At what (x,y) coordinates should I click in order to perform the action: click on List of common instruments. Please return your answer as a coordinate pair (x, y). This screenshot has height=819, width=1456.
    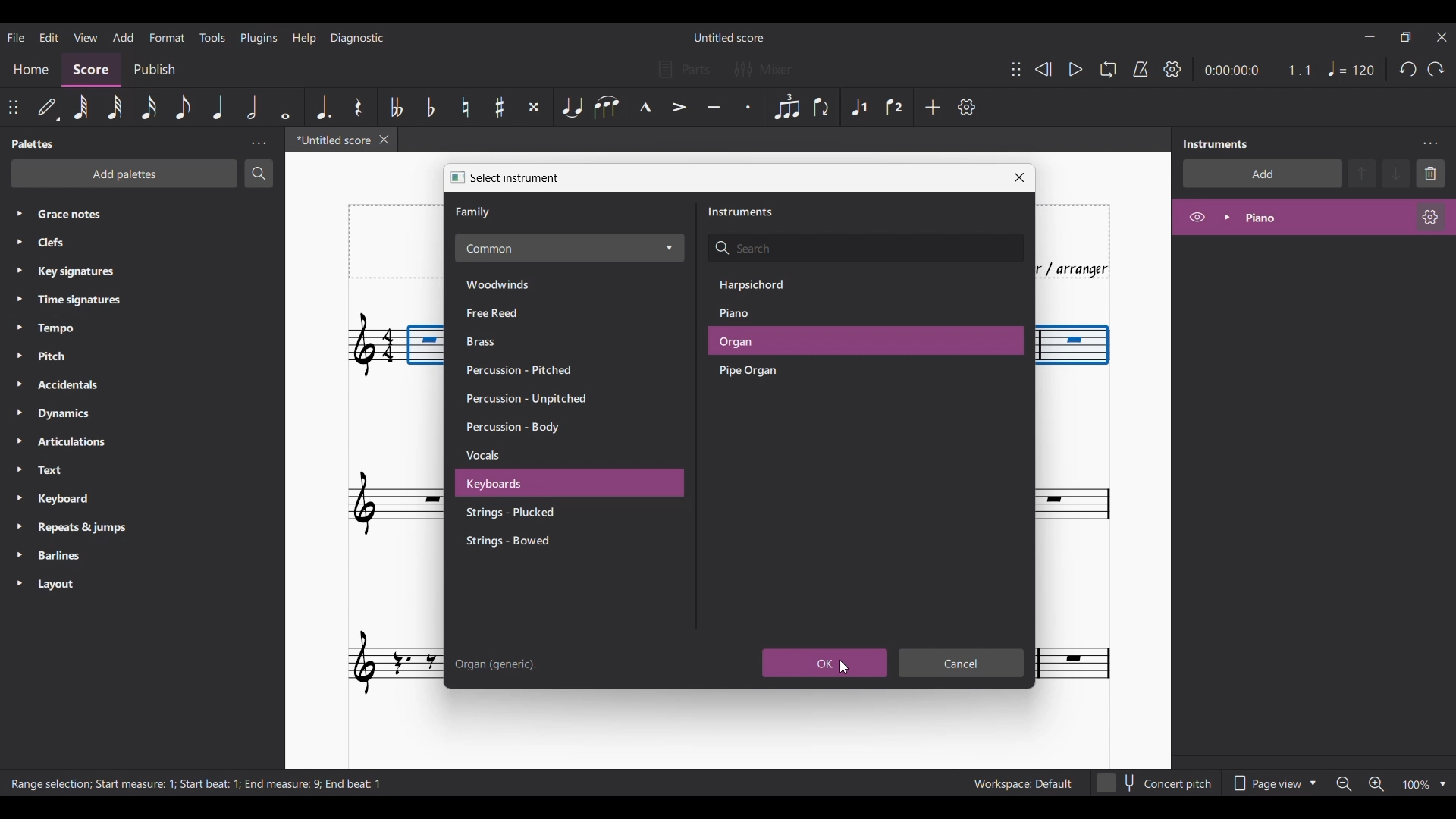
    Looking at the image, I should click on (570, 248).